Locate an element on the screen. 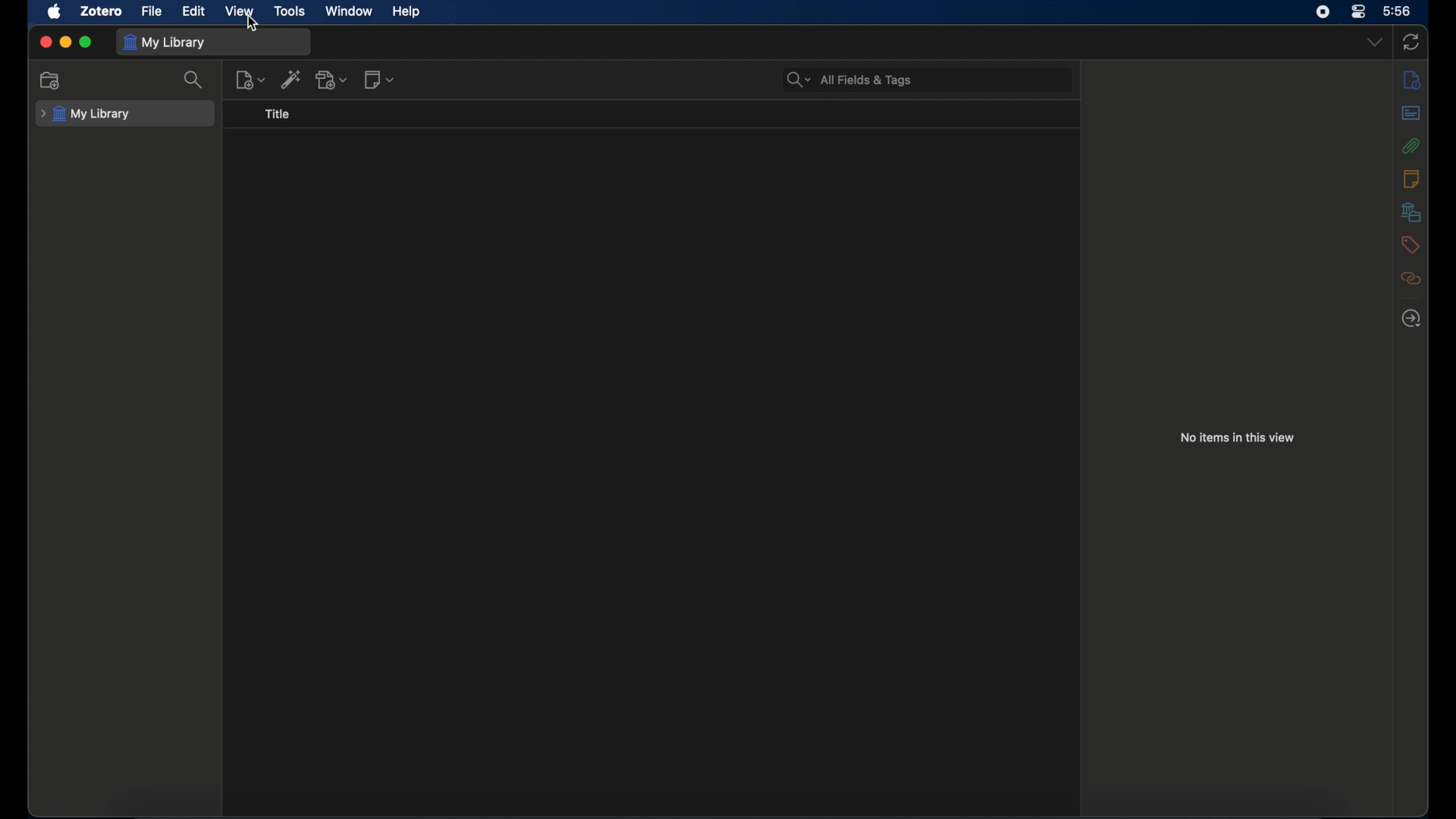 The image size is (1456, 819). edit is located at coordinates (193, 11).